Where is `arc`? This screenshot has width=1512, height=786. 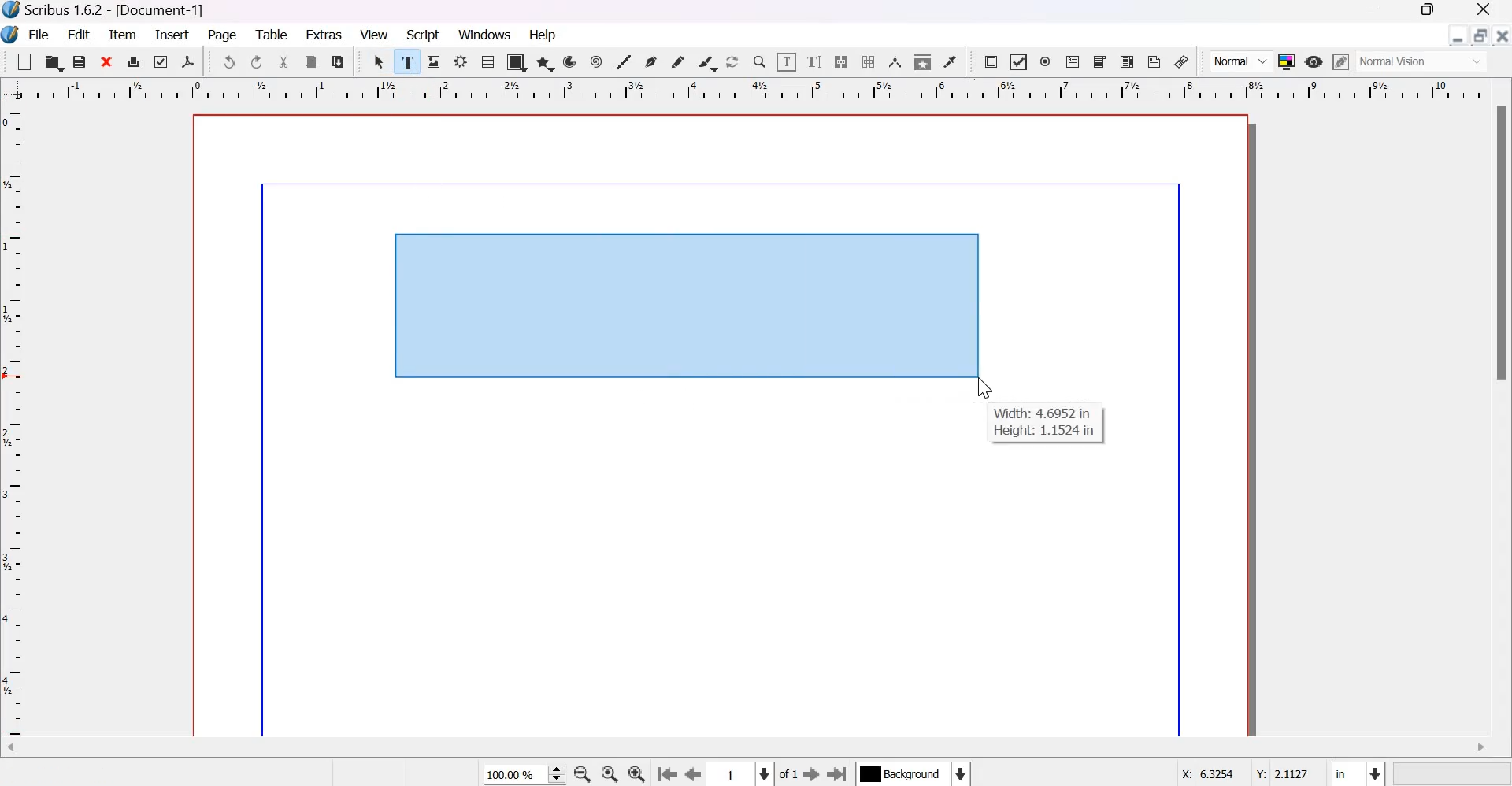
arc is located at coordinates (570, 61).